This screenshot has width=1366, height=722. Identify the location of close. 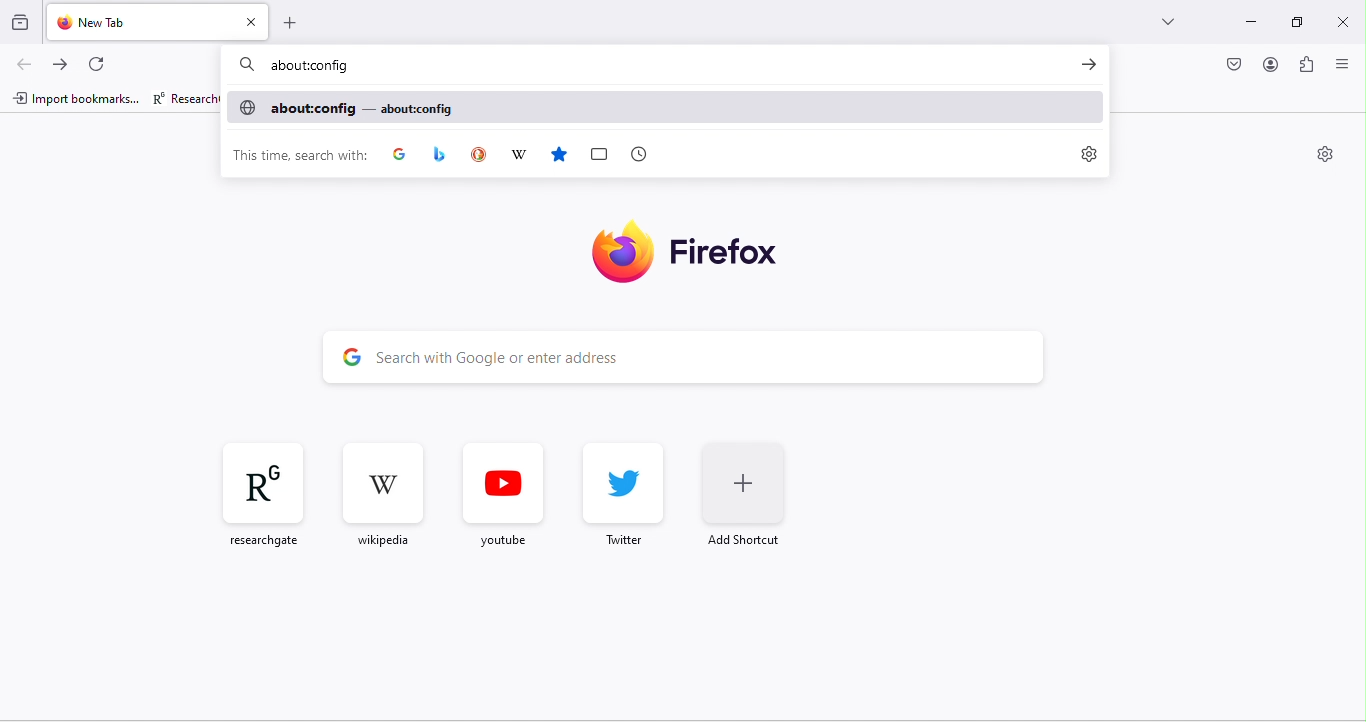
(247, 22).